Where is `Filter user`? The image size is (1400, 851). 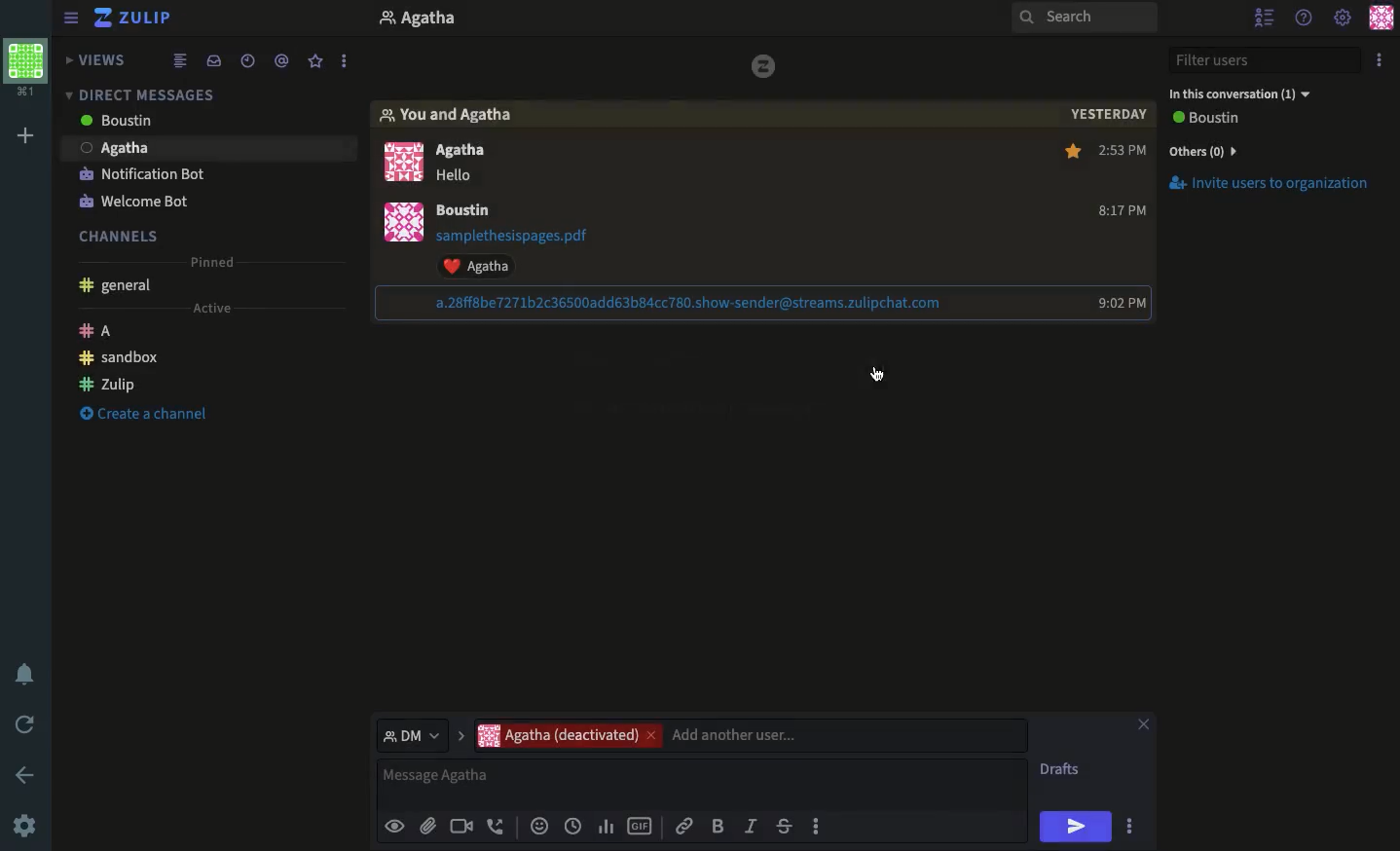 Filter user is located at coordinates (1269, 60).